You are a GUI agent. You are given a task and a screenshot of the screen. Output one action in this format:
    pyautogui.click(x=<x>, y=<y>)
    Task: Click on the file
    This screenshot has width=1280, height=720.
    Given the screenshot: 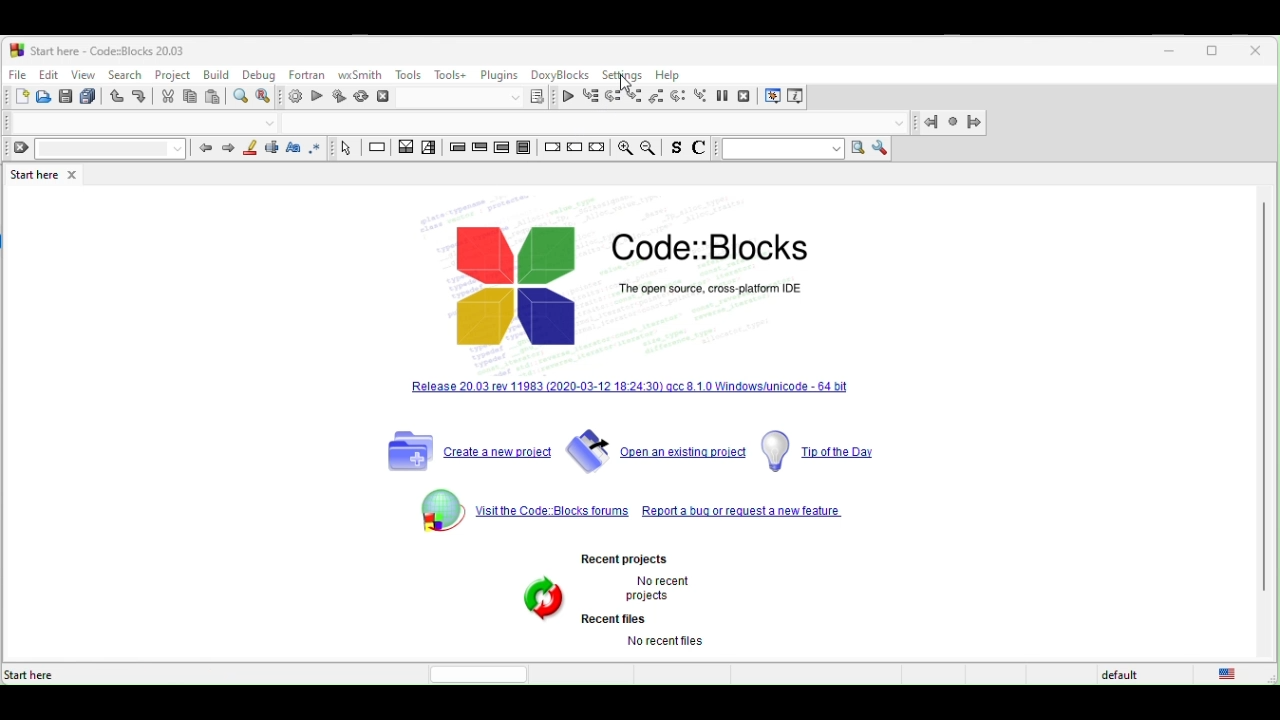 What is the action you would take?
    pyautogui.click(x=16, y=72)
    